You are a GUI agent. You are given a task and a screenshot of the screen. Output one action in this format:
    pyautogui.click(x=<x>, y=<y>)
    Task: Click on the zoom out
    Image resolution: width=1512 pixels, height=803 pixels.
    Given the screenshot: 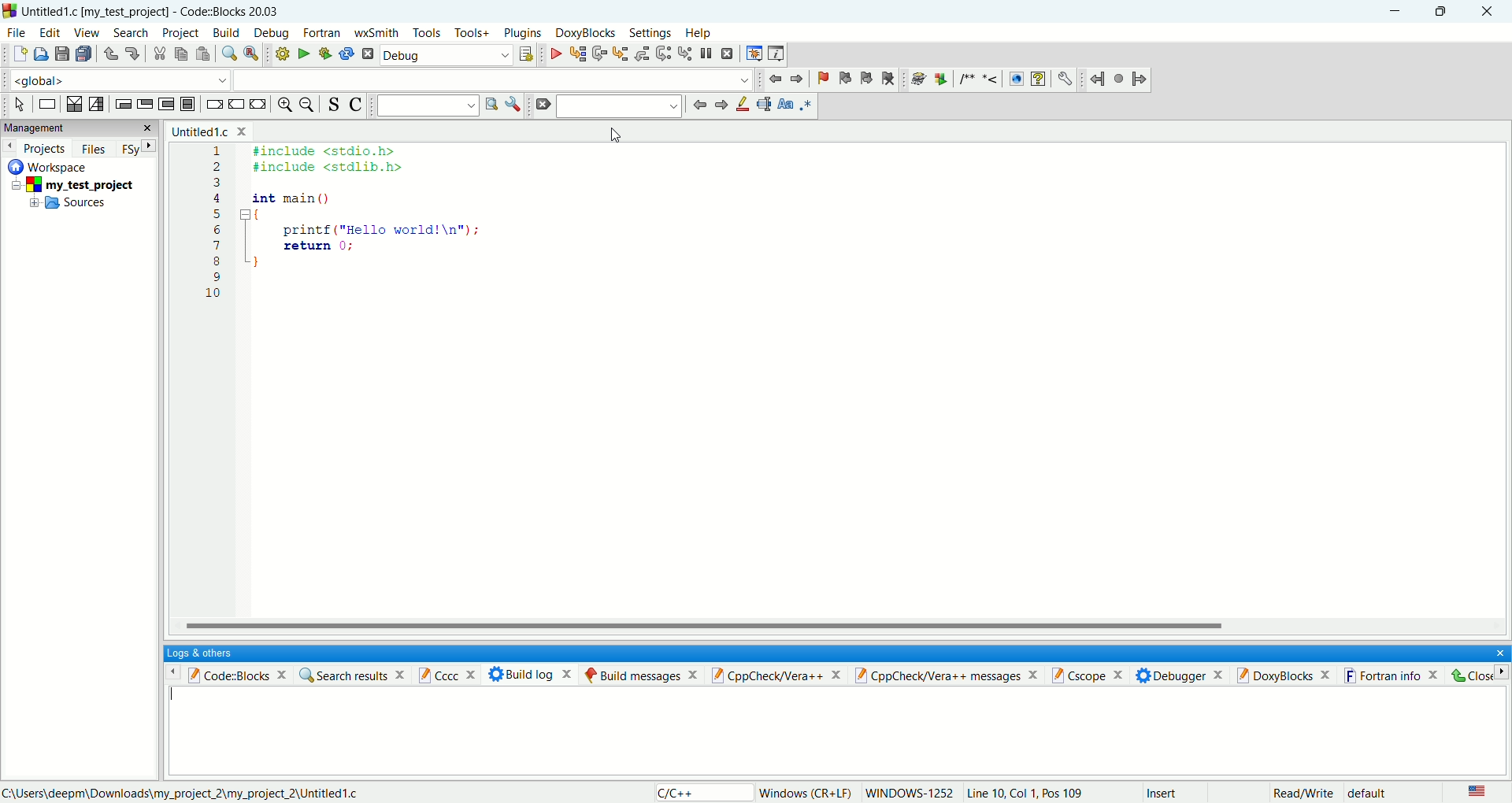 What is the action you would take?
    pyautogui.click(x=308, y=105)
    